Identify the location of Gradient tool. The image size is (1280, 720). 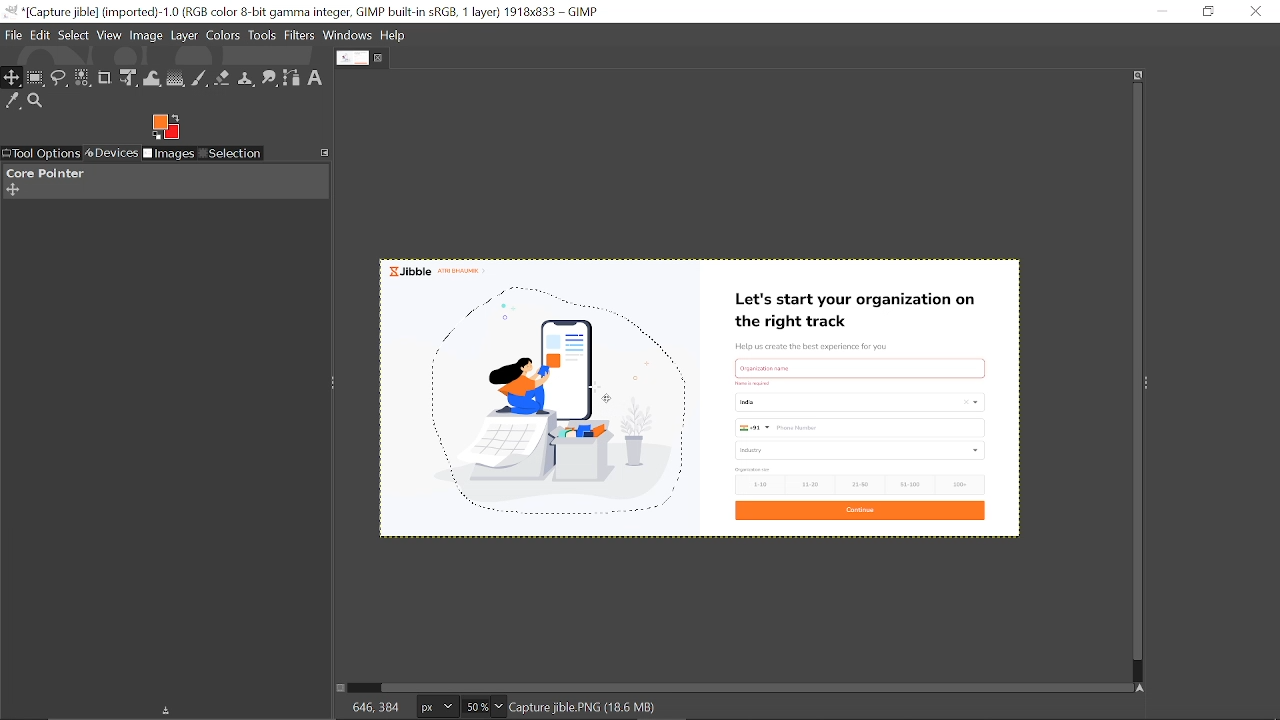
(177, 79).